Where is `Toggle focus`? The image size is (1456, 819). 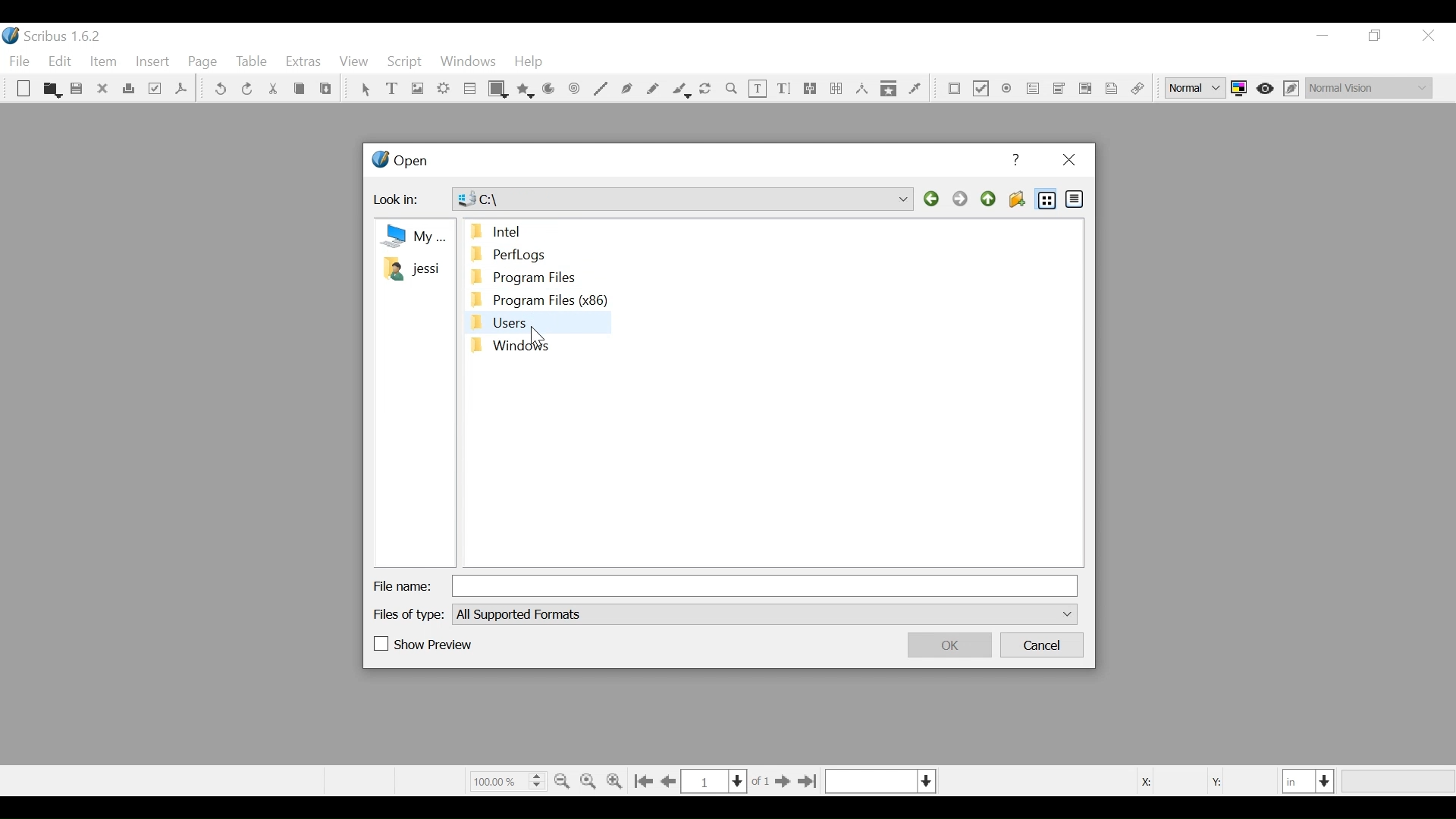
Toggle focus is located at coordinates (1266, 88).